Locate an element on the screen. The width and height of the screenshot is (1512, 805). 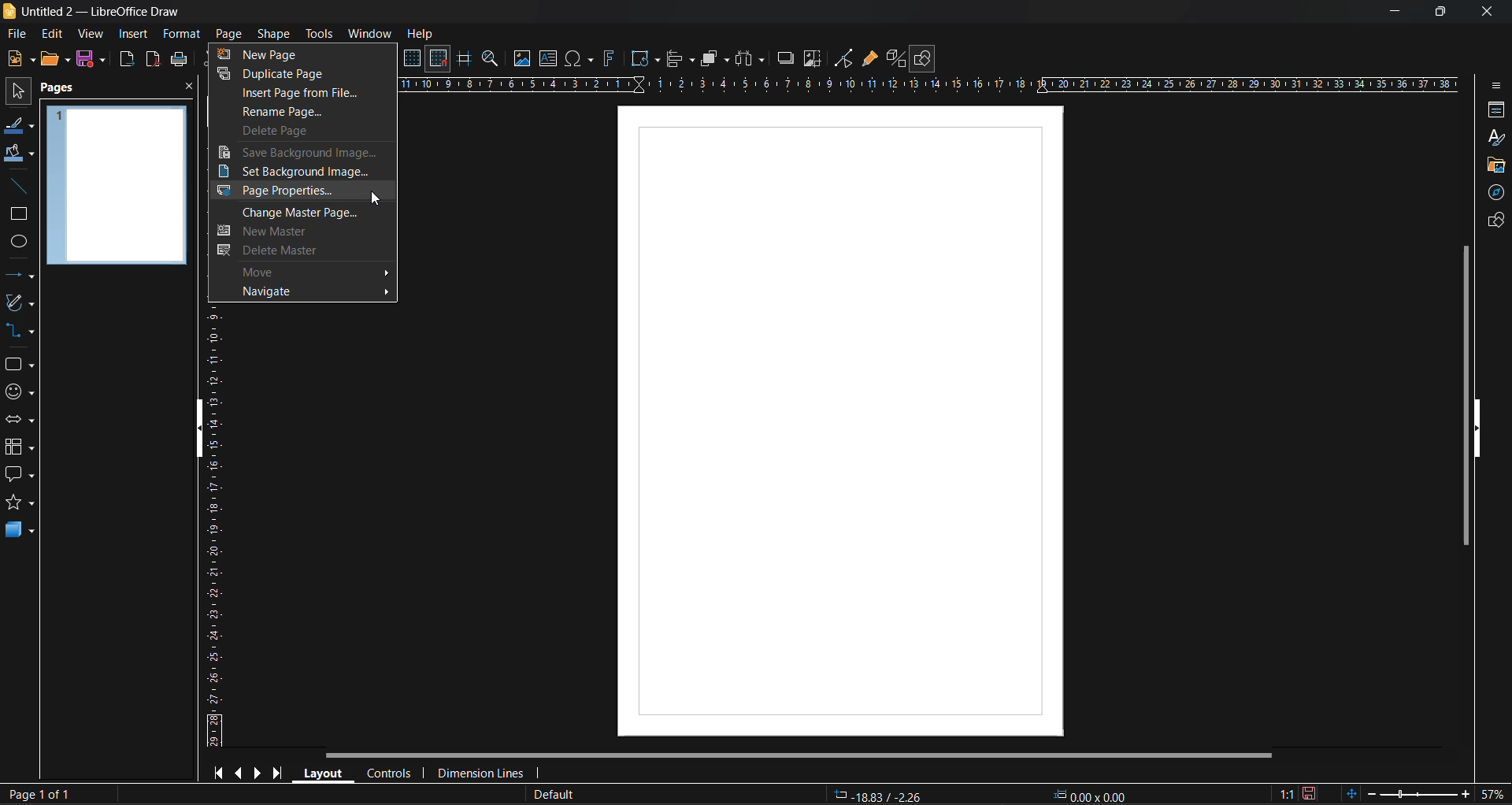
zoom and pan is located at coordinates (489, 58).